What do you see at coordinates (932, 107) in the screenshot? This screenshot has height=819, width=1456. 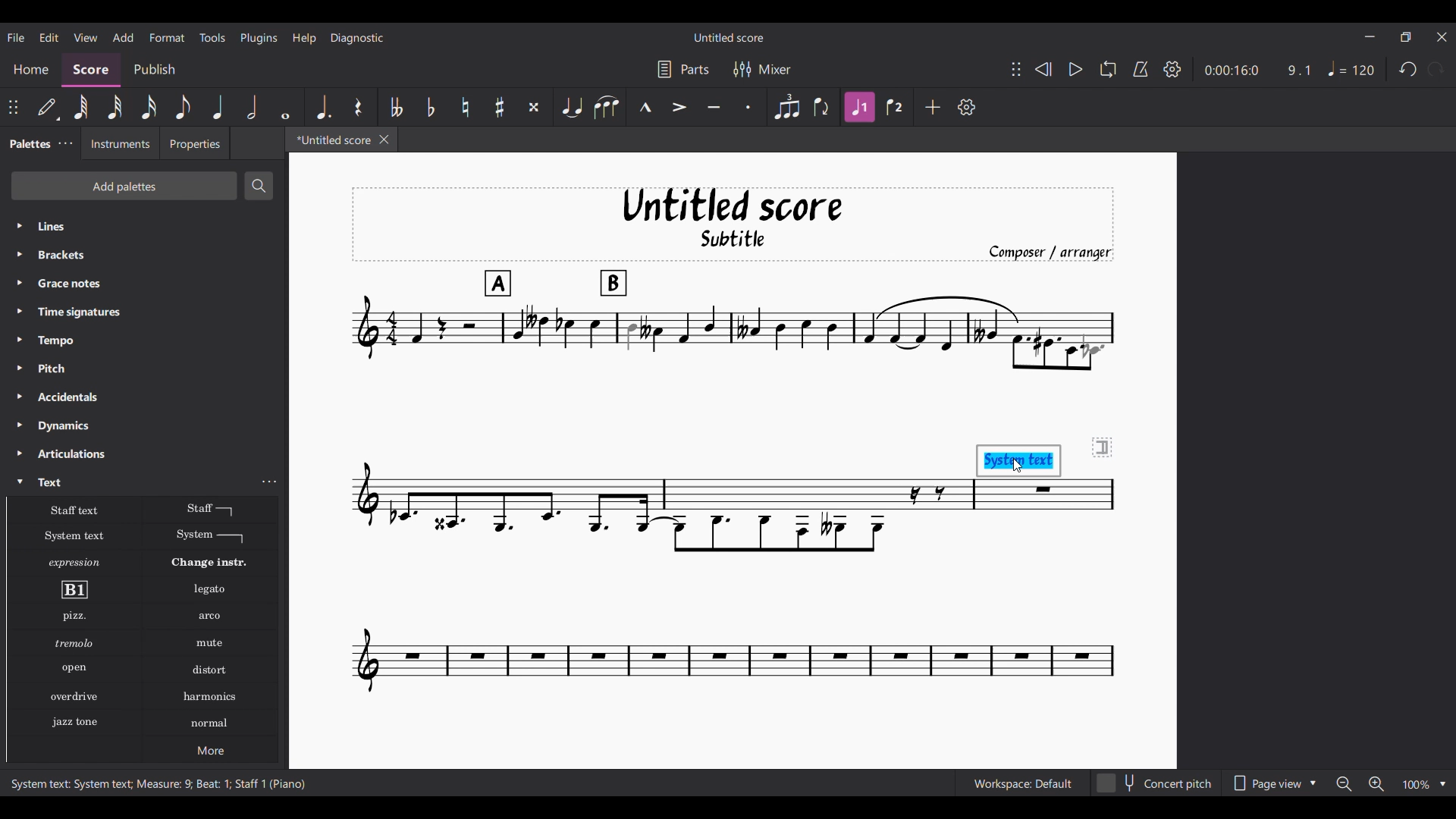 I see `Add` at bounding box center [932, 107].